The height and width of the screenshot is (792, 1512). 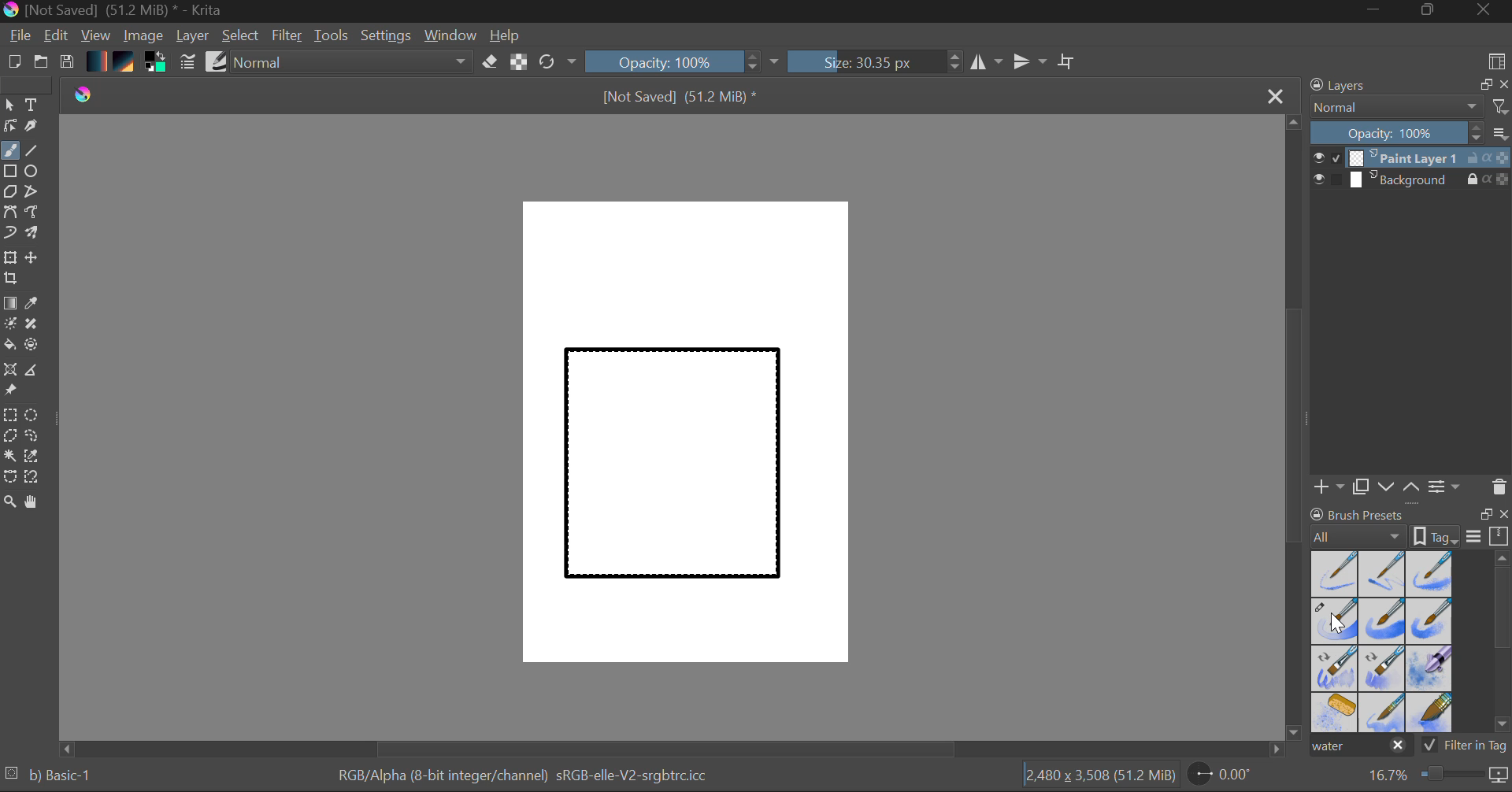 I want to click on Water C - Wet Pattern, so click(x=1429, y=574).